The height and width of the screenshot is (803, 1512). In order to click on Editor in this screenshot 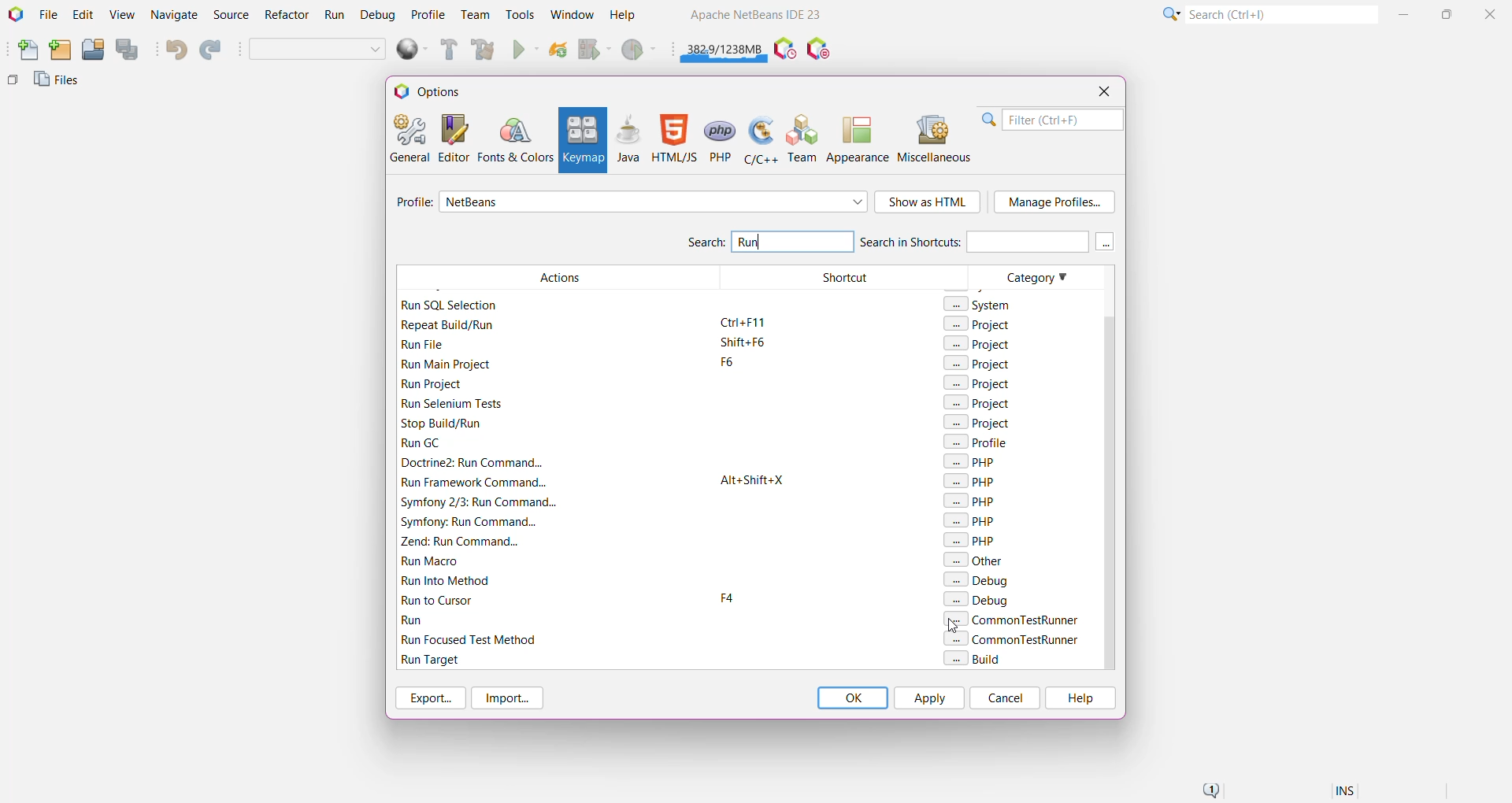, I will do `click(450, 138)`.